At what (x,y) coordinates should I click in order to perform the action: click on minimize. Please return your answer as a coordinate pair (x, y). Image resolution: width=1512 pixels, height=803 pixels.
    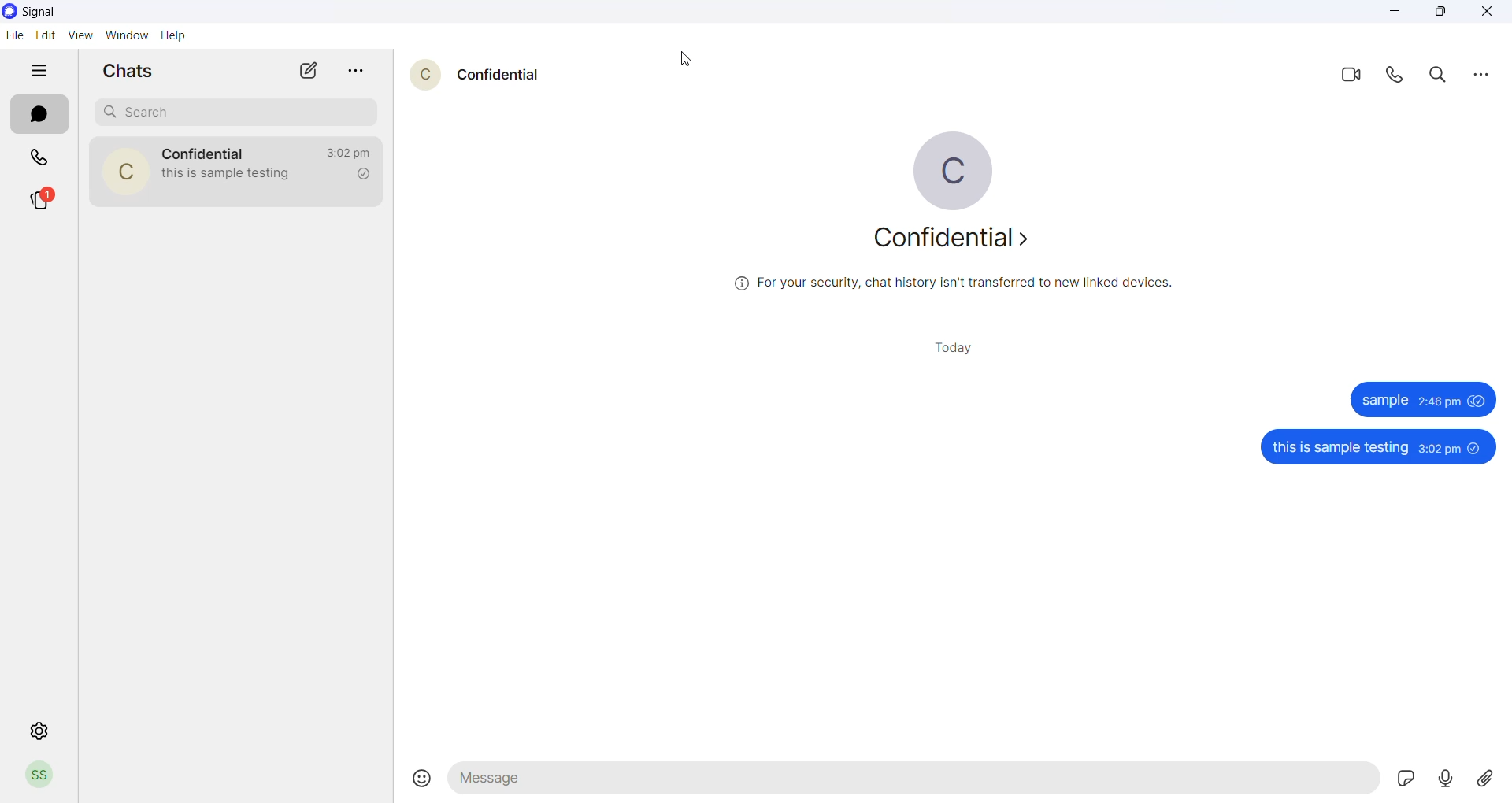
    Looking at the image, I should click on (1395, 13).